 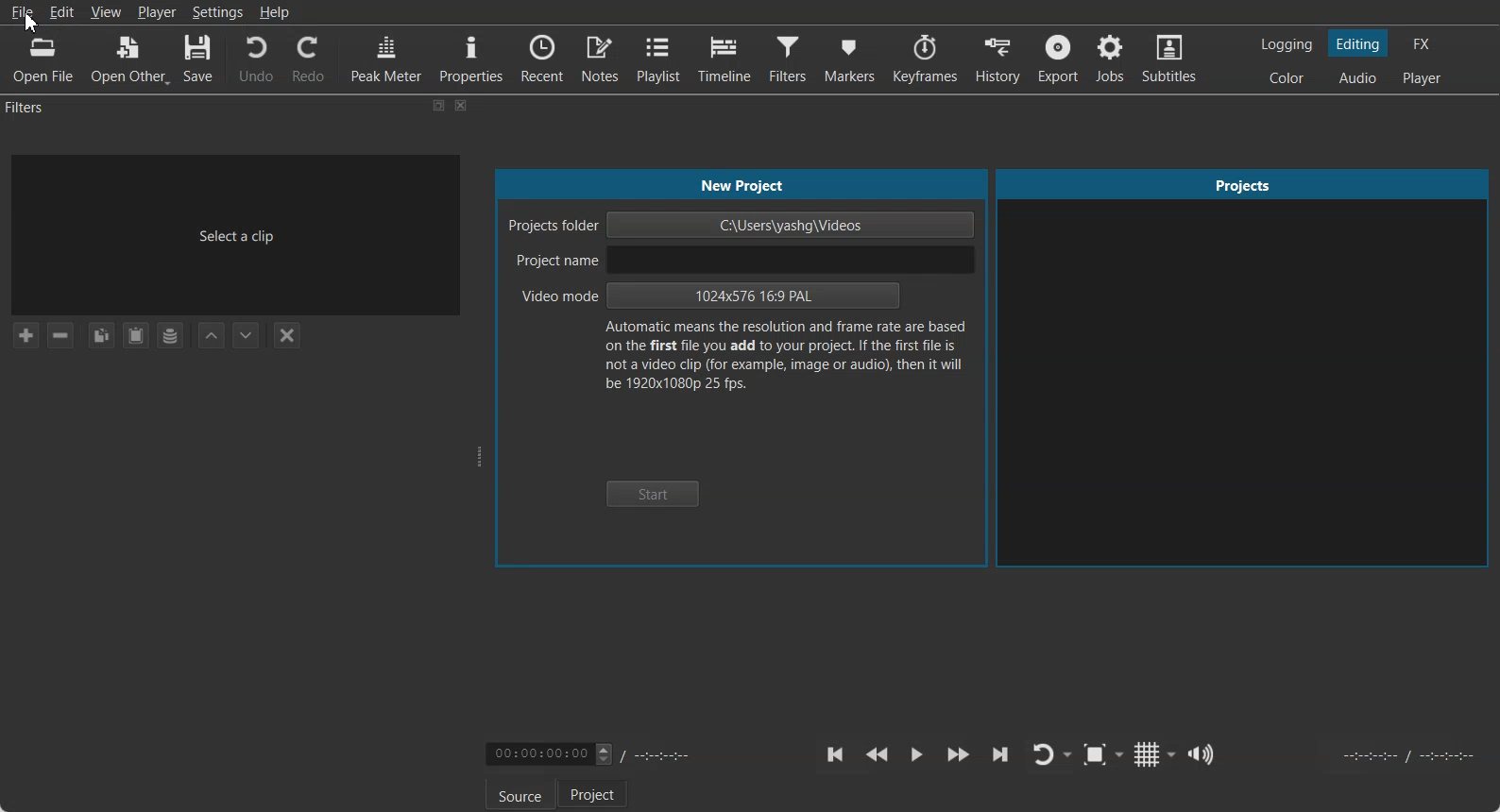 I want to click on Undo, so click(x=255, y=59).